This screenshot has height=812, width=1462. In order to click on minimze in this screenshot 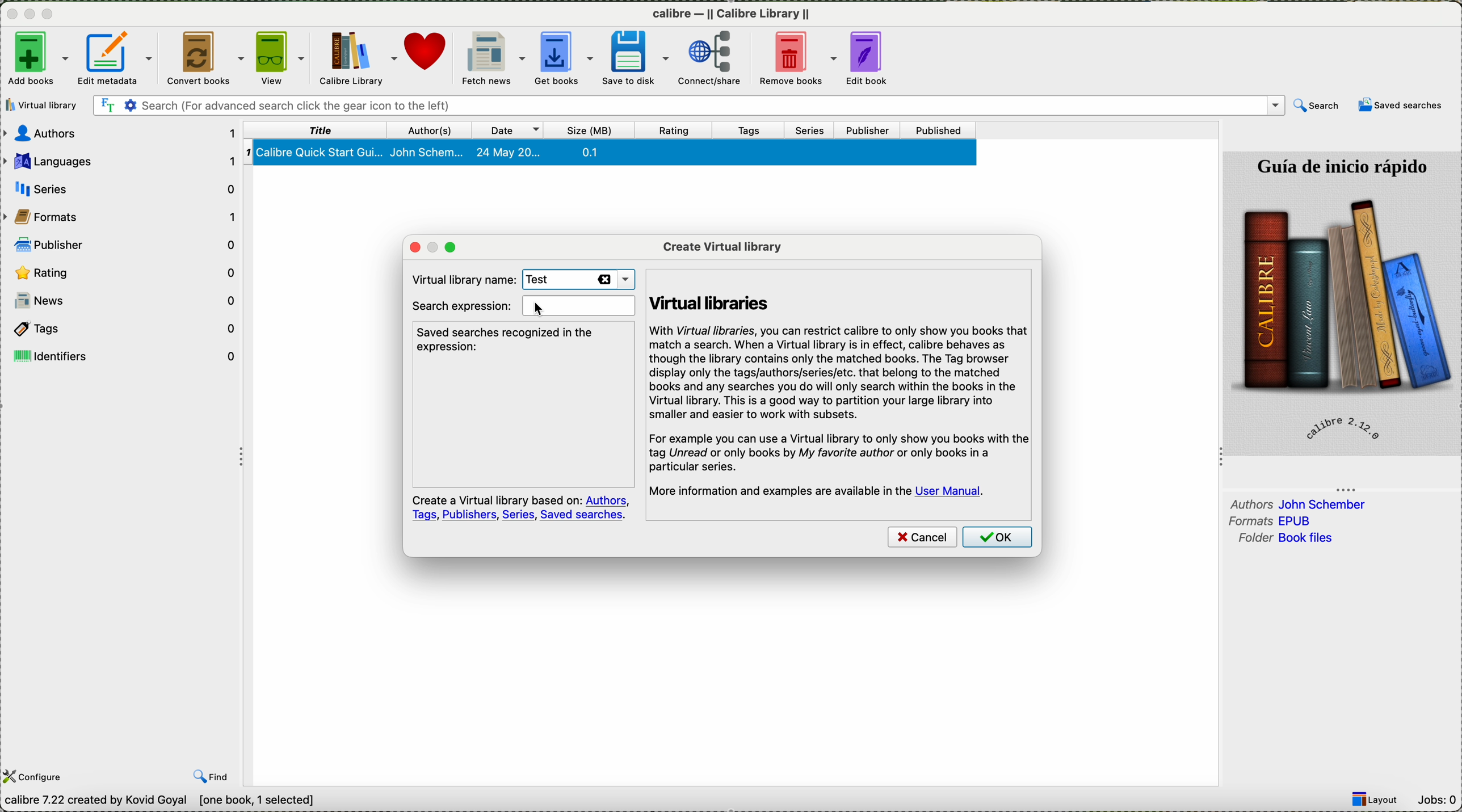, I will do `click(431, 247)`.